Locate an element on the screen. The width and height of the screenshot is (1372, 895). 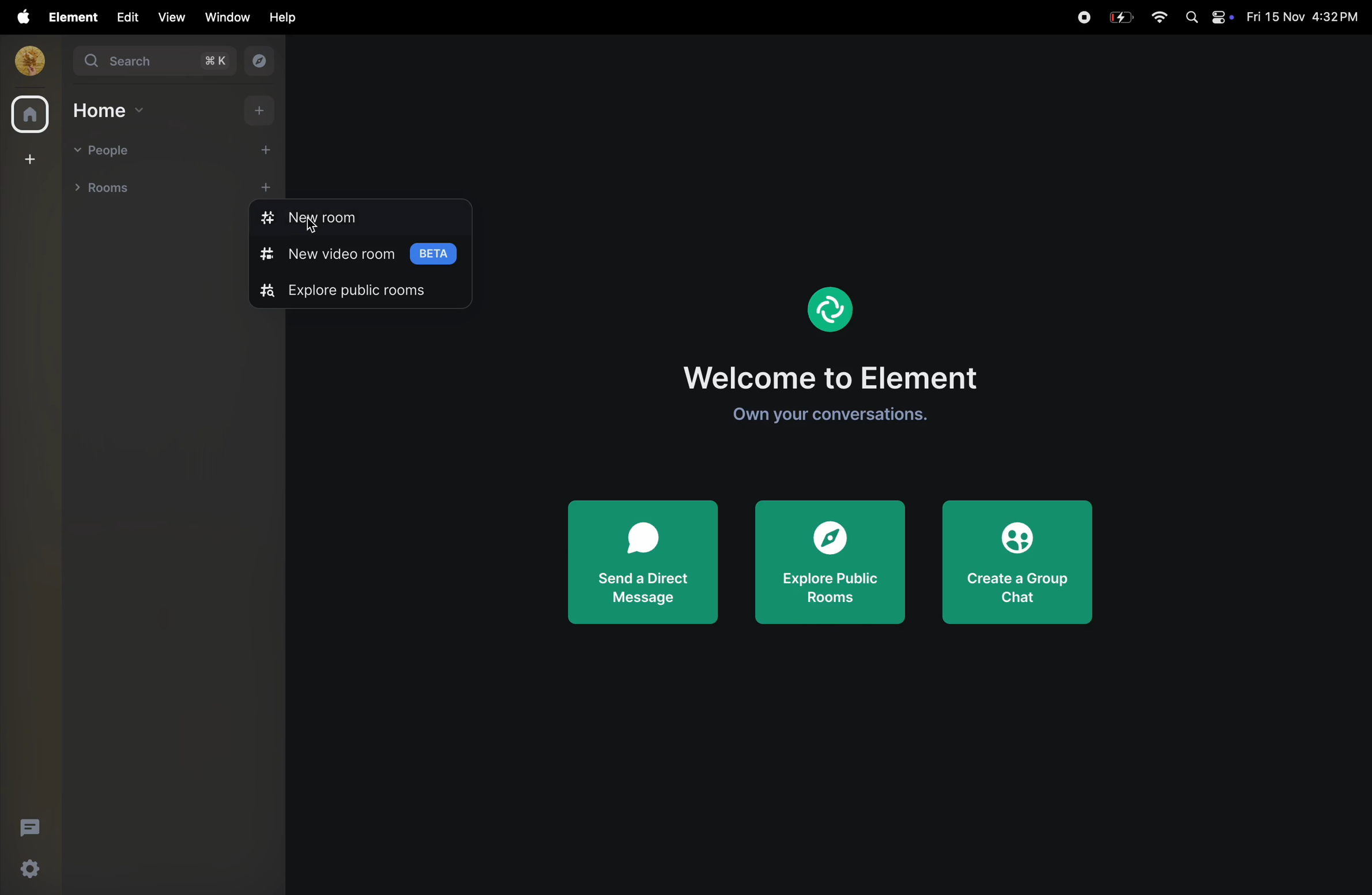
add rooms is located at coordinates (272, 186).